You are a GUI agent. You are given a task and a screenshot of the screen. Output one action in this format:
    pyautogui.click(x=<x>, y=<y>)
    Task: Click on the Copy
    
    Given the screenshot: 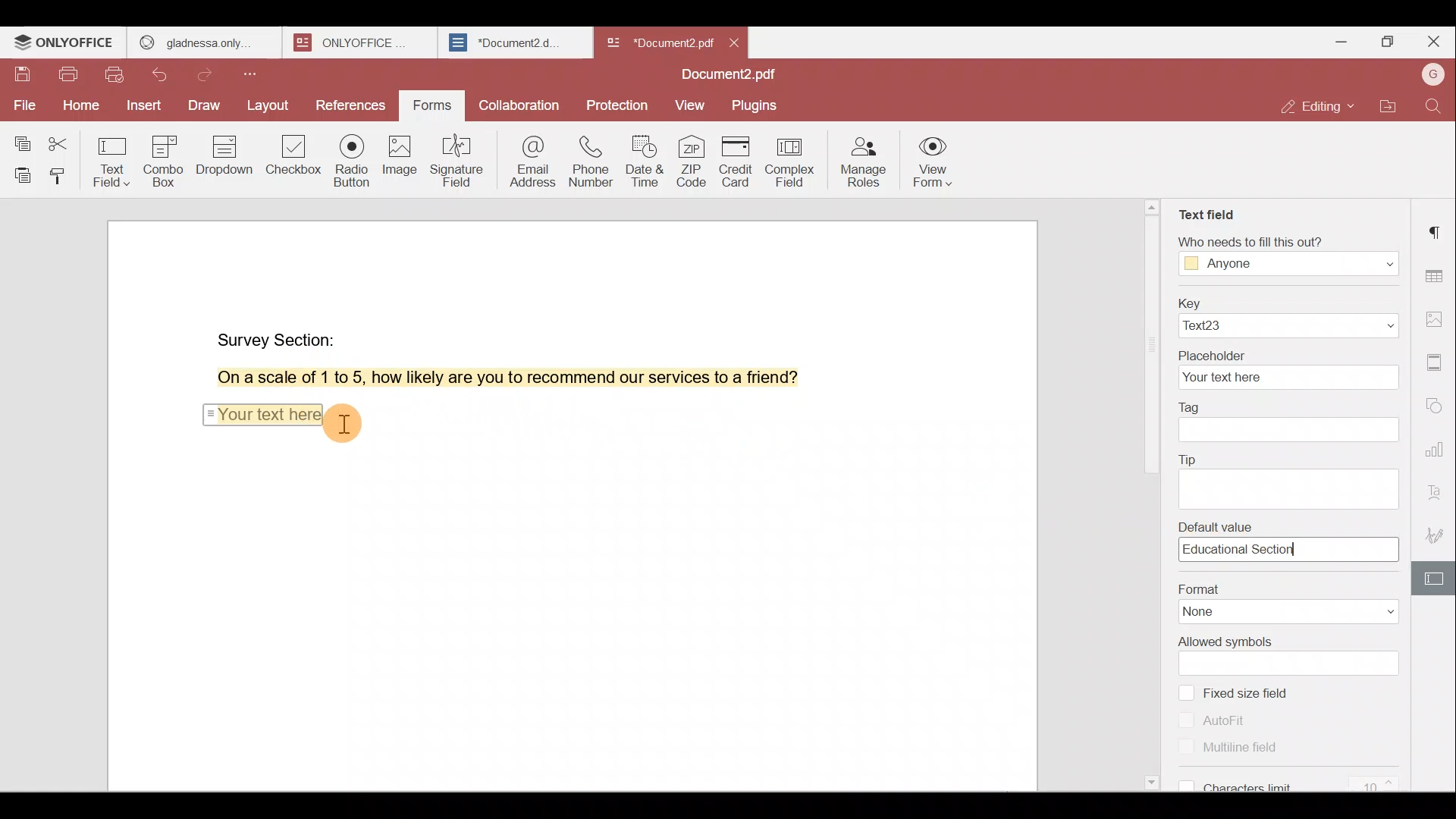 What is the action you would take?
    pyautogui.click(x=21, y=137)
    